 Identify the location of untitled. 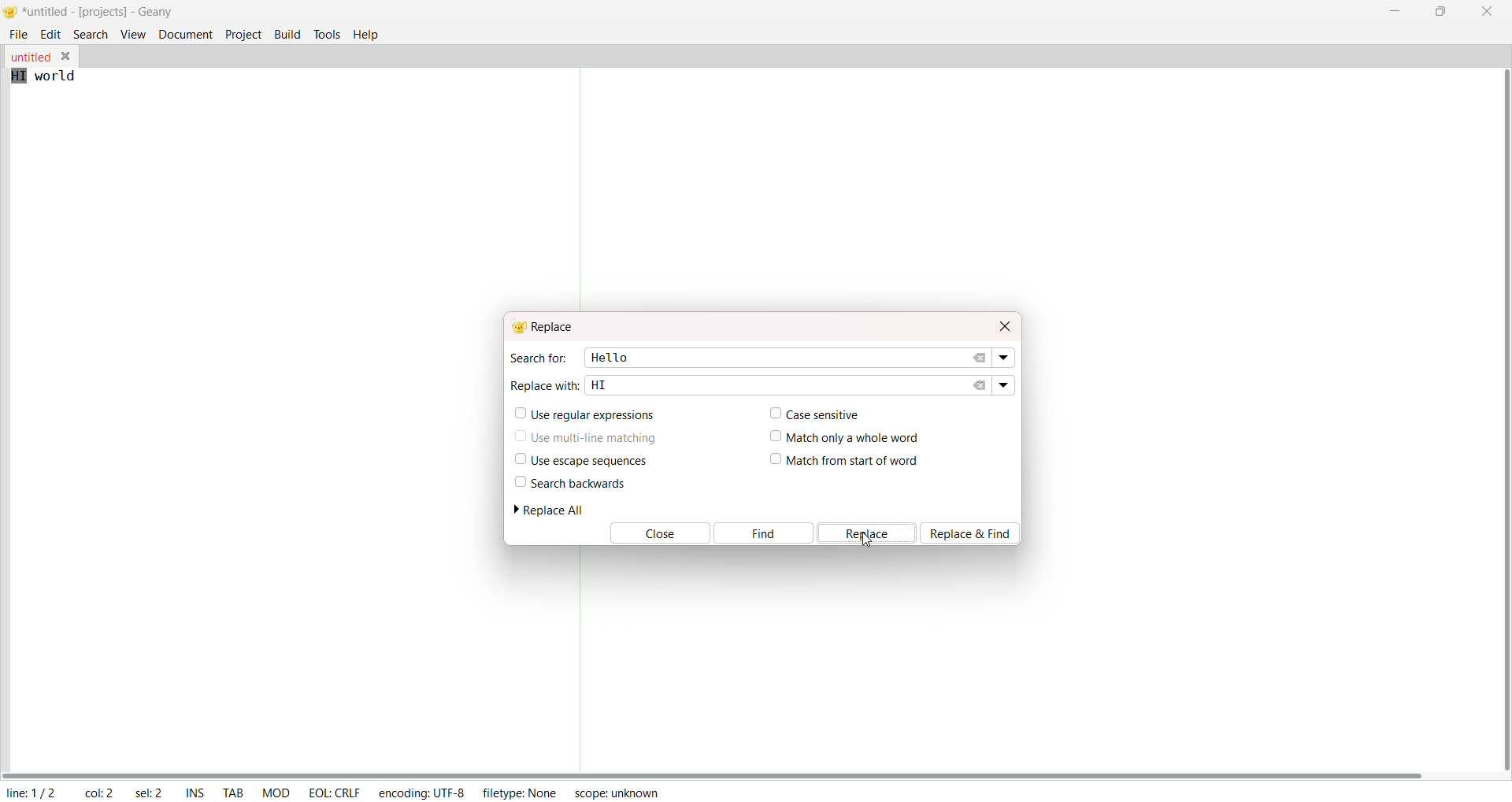
(28, 58).